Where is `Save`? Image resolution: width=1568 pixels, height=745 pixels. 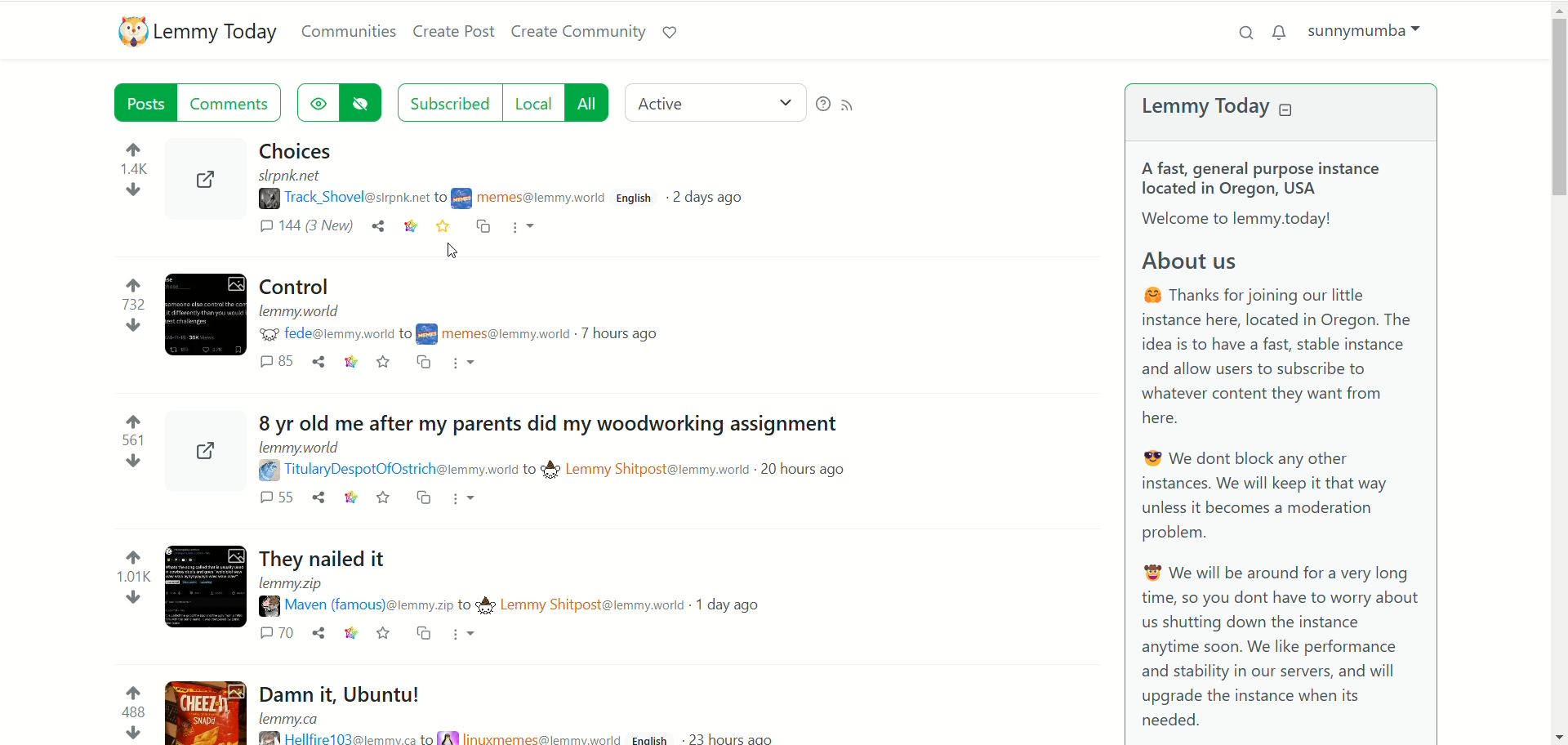 Save is located at coordinates (385, 363).